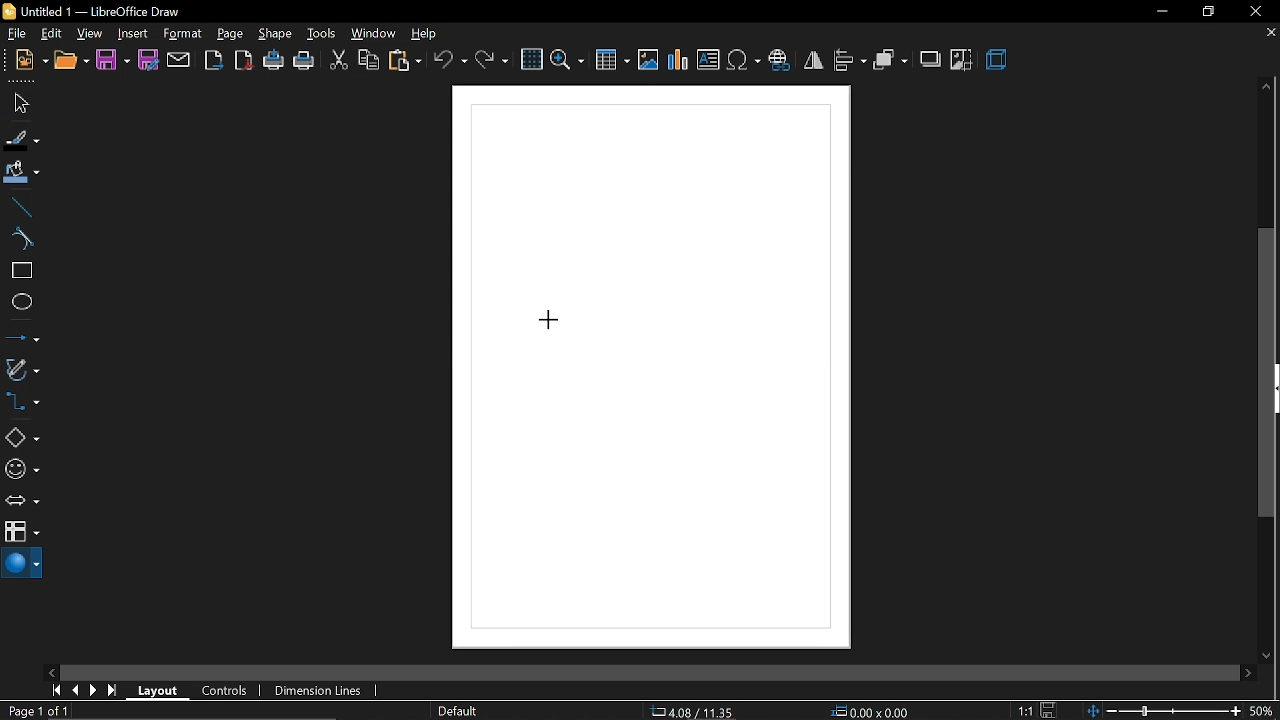 The image size is (1280, 720). What do you see at coordinates (1270, 655) in the screenshot?
I see `move down` at bounding box center [1270, 655].